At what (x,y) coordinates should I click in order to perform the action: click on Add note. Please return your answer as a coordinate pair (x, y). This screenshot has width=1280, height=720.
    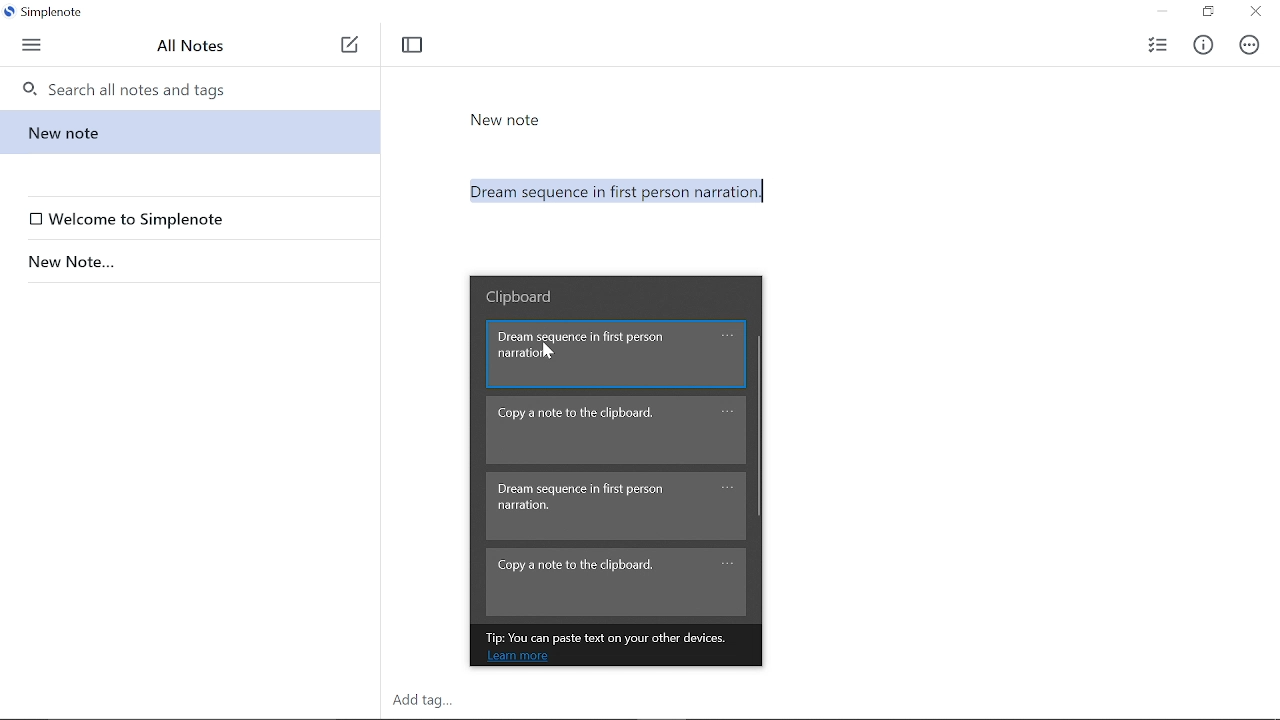
    Looking at the image, I should click on (350, 45).